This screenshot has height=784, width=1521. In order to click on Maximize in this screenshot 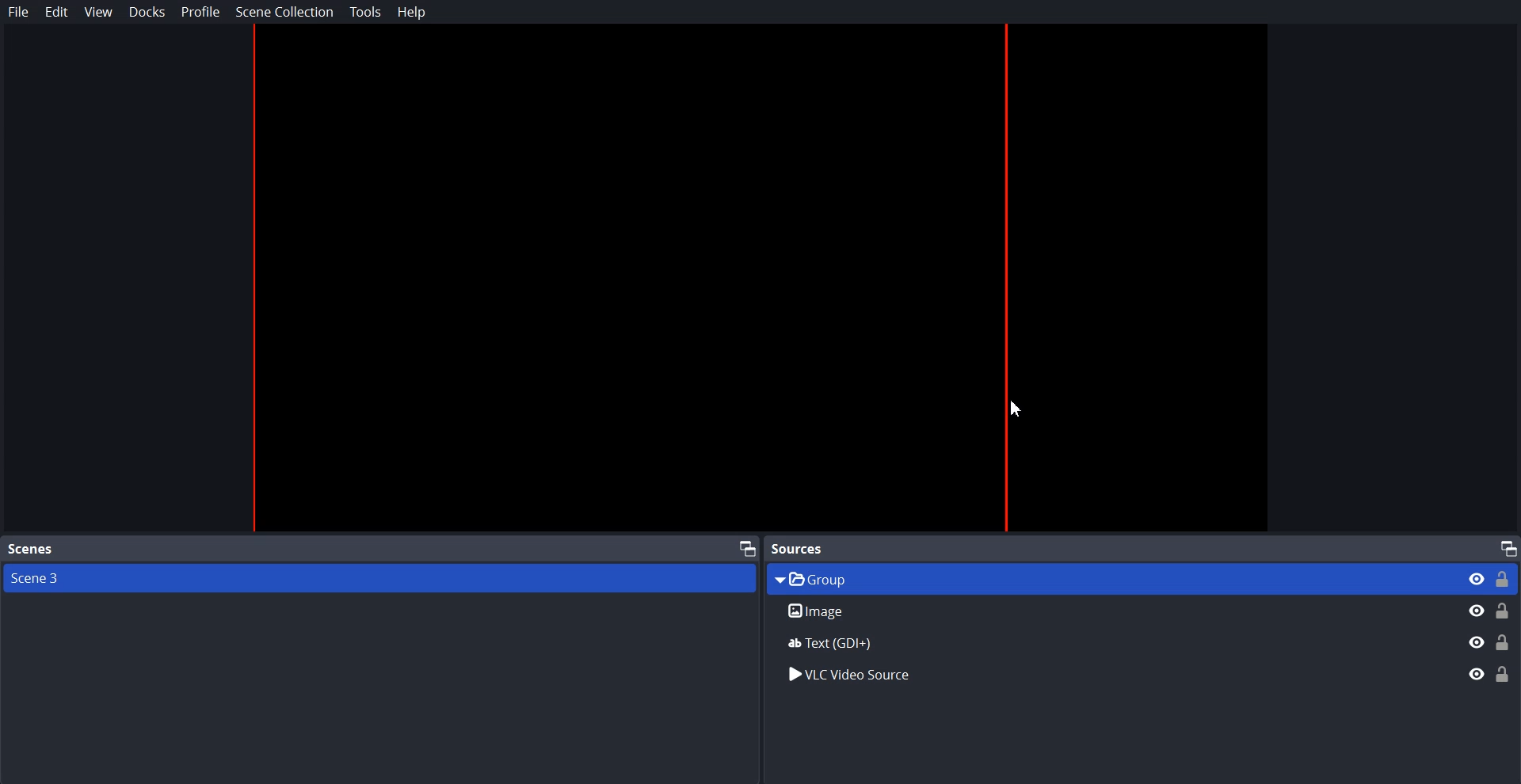, I will do `click(748, 547)`.